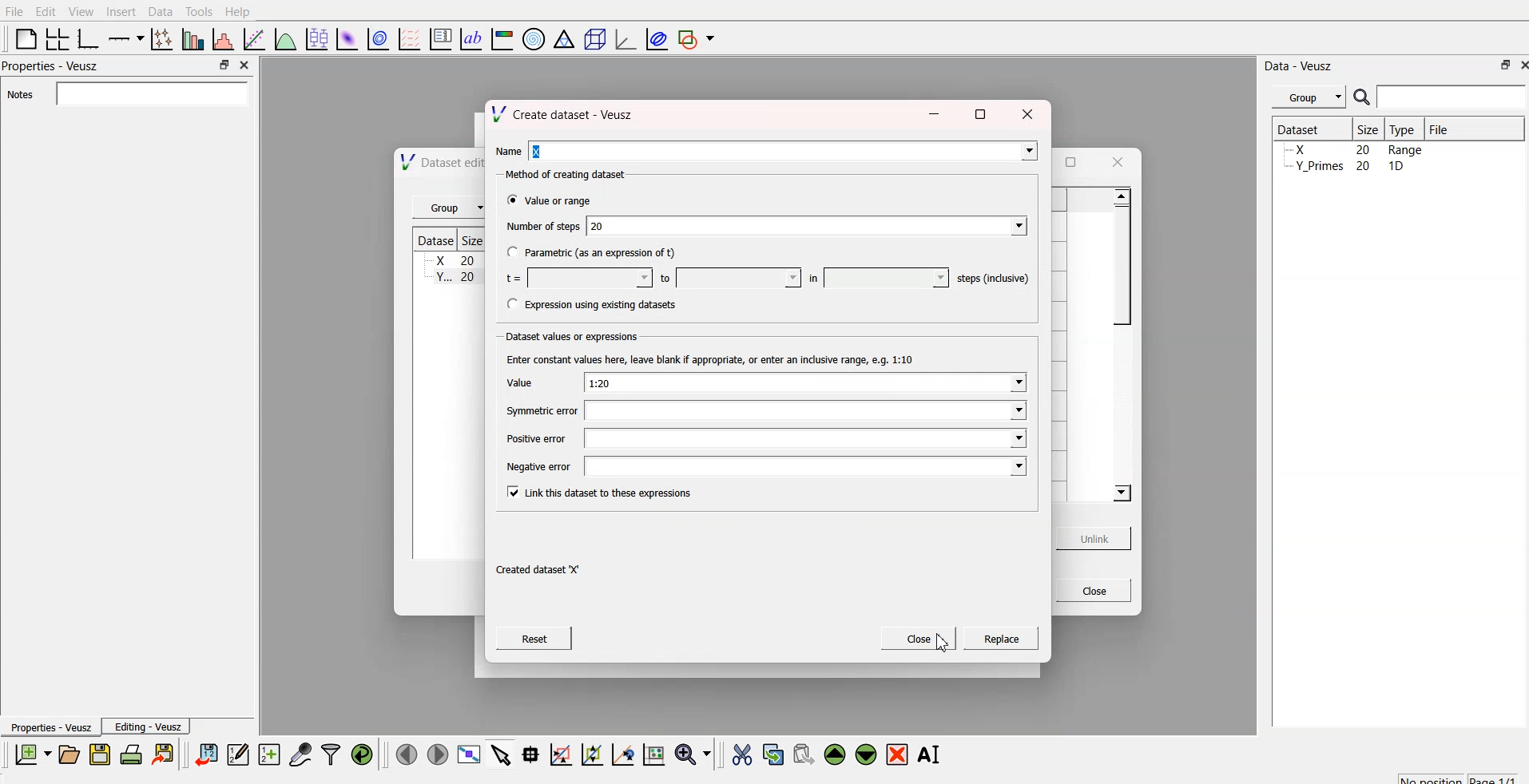 The height and width of the screenshot is (784, 1529). What do you see at coordinates (573, 172) in the screenshot?
I see `Method of creating dataset:` at bounding box center [573, 172].